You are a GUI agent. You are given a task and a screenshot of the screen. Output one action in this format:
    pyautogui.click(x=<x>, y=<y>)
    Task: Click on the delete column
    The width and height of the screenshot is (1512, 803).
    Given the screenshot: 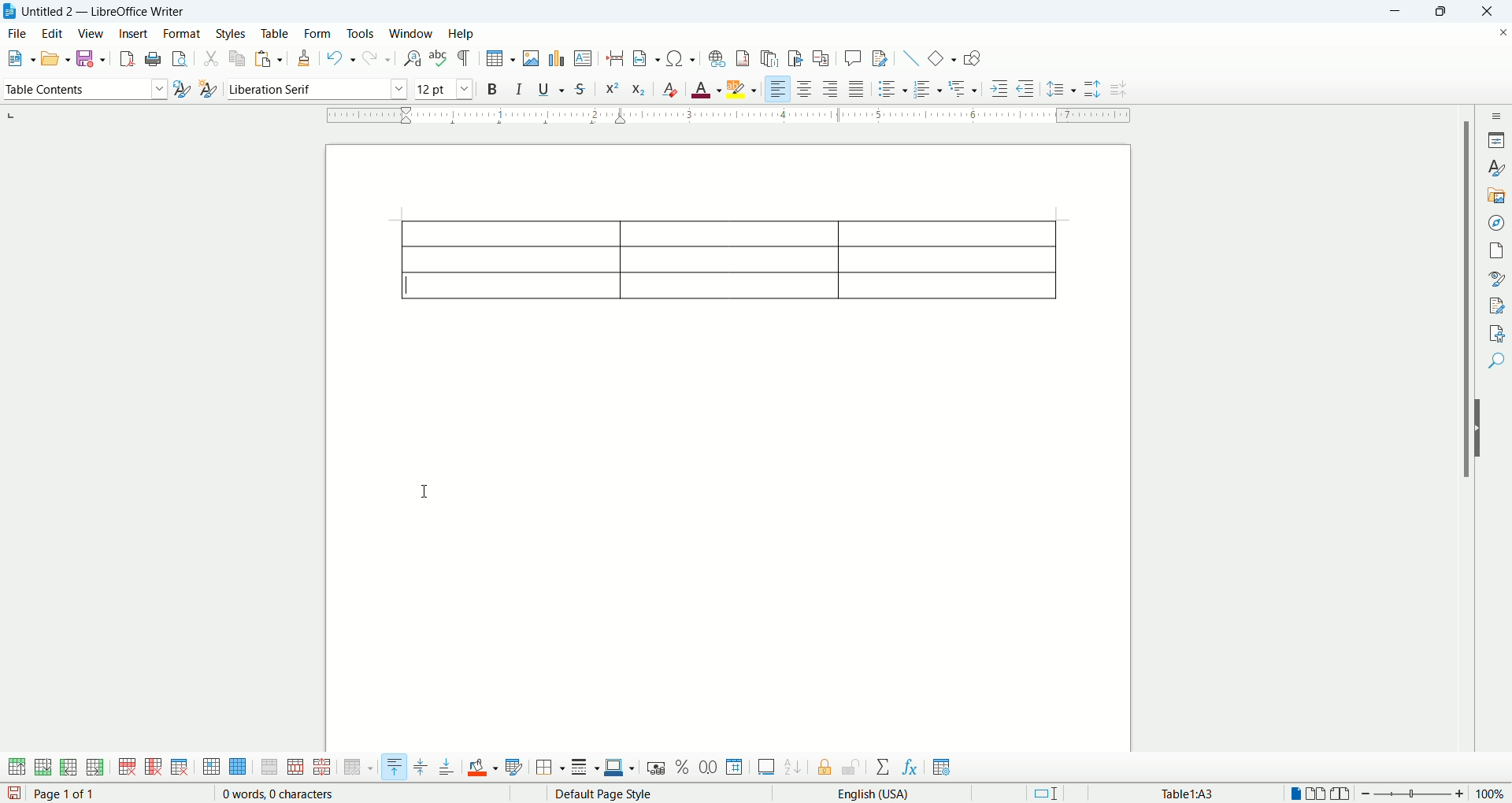 What is the action you would take?
    pyautogui.click(x=154, y=767)
    